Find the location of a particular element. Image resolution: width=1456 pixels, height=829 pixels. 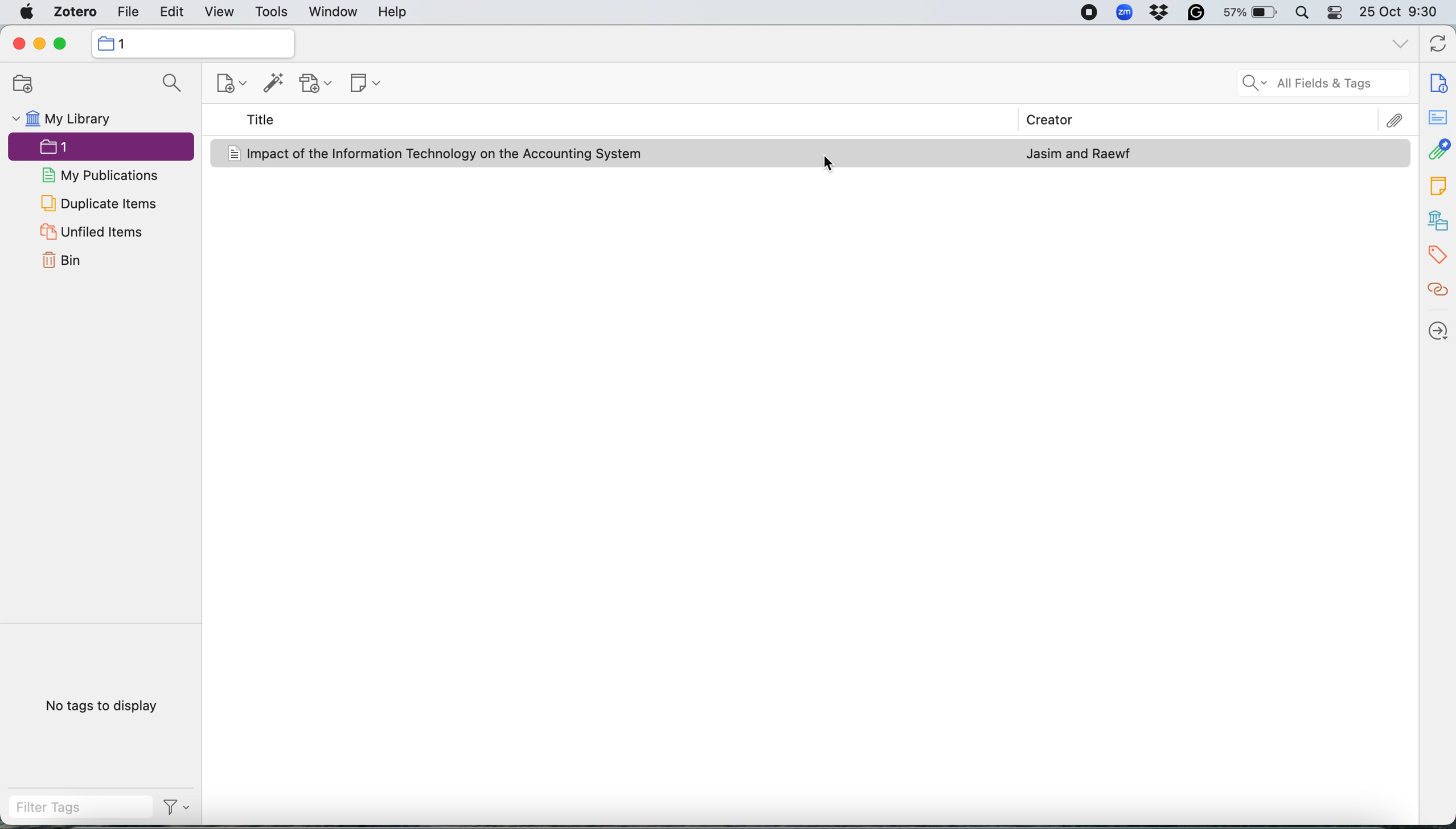

creator is located at coordinates (1061, 120).